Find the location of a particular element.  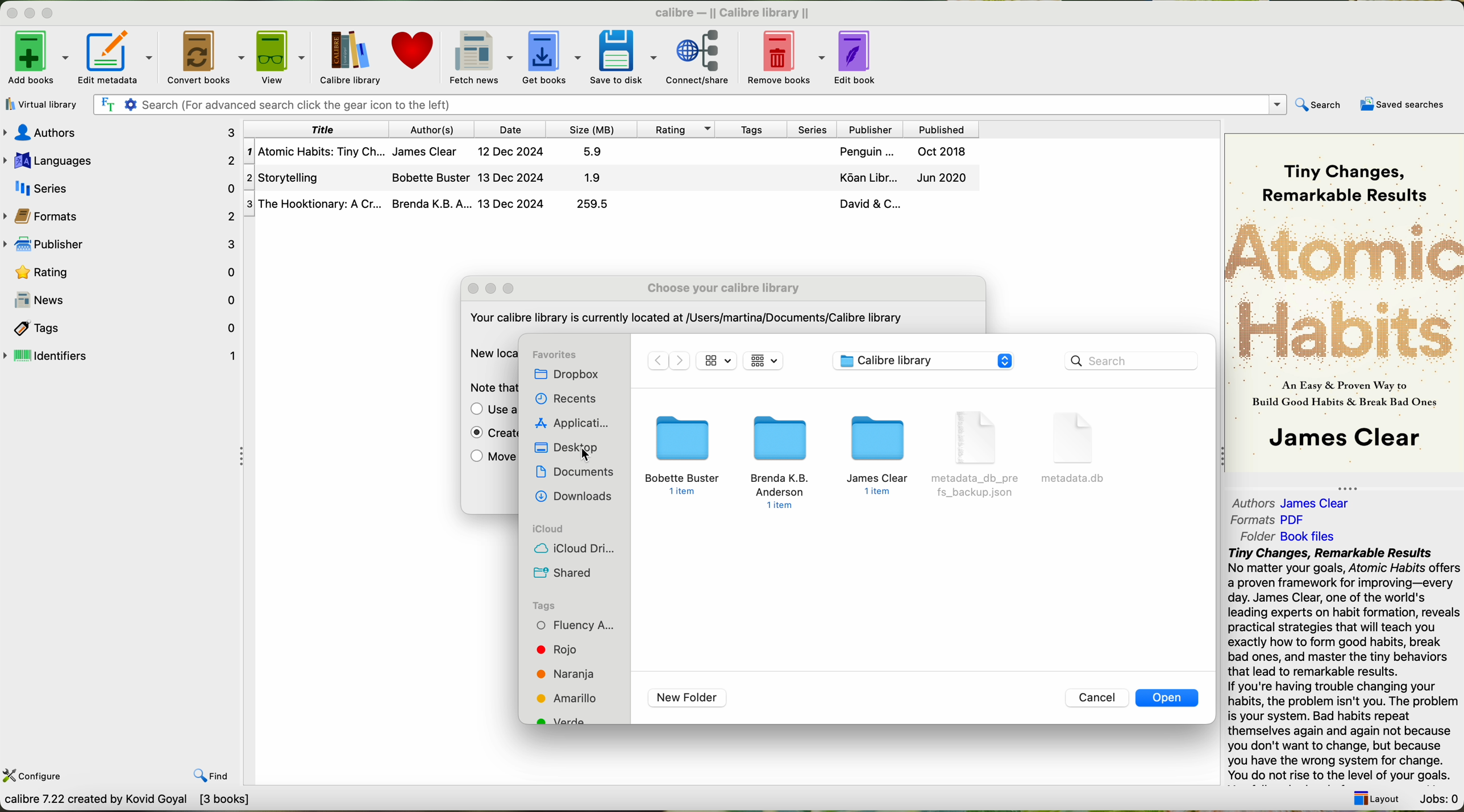

published is located at coordinates (942, 128).